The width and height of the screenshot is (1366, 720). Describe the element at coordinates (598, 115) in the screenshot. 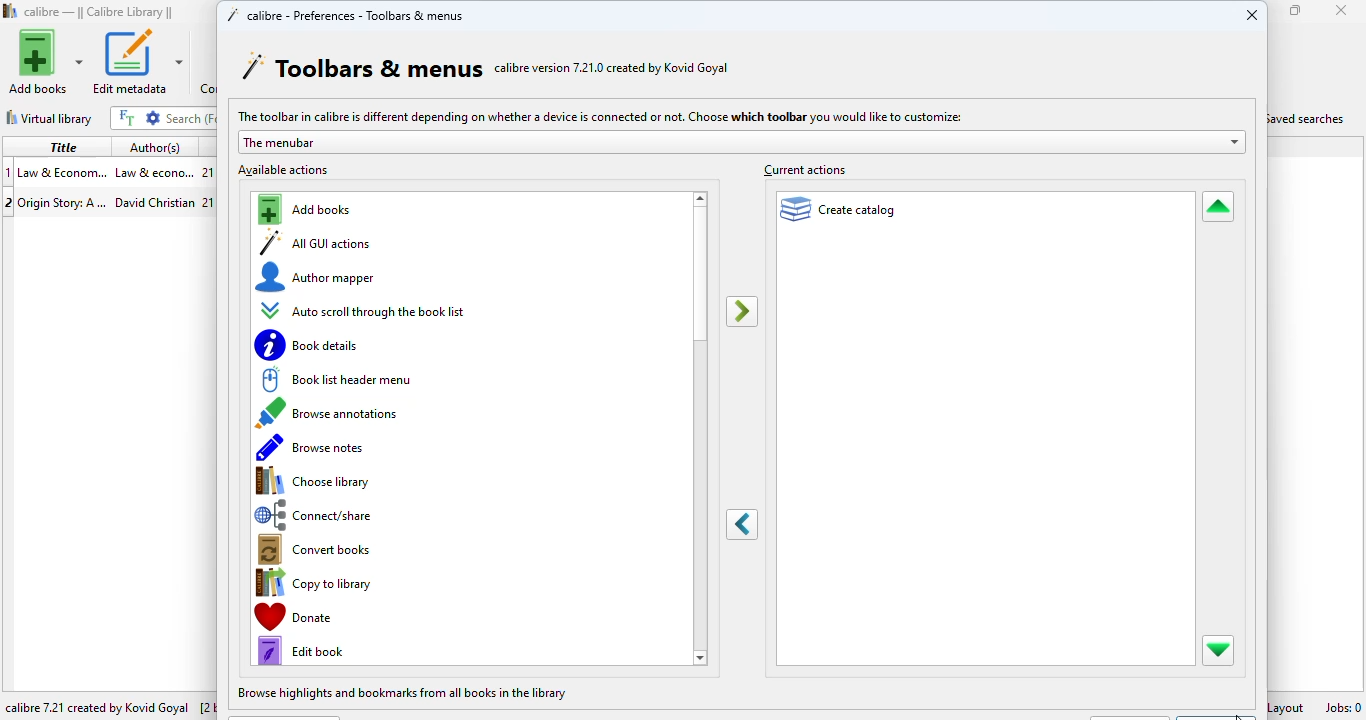

I see `The toolbar in calibre is different depending on whether a device is connected or not. Choose which toolbar you would like to customize:` at that location.